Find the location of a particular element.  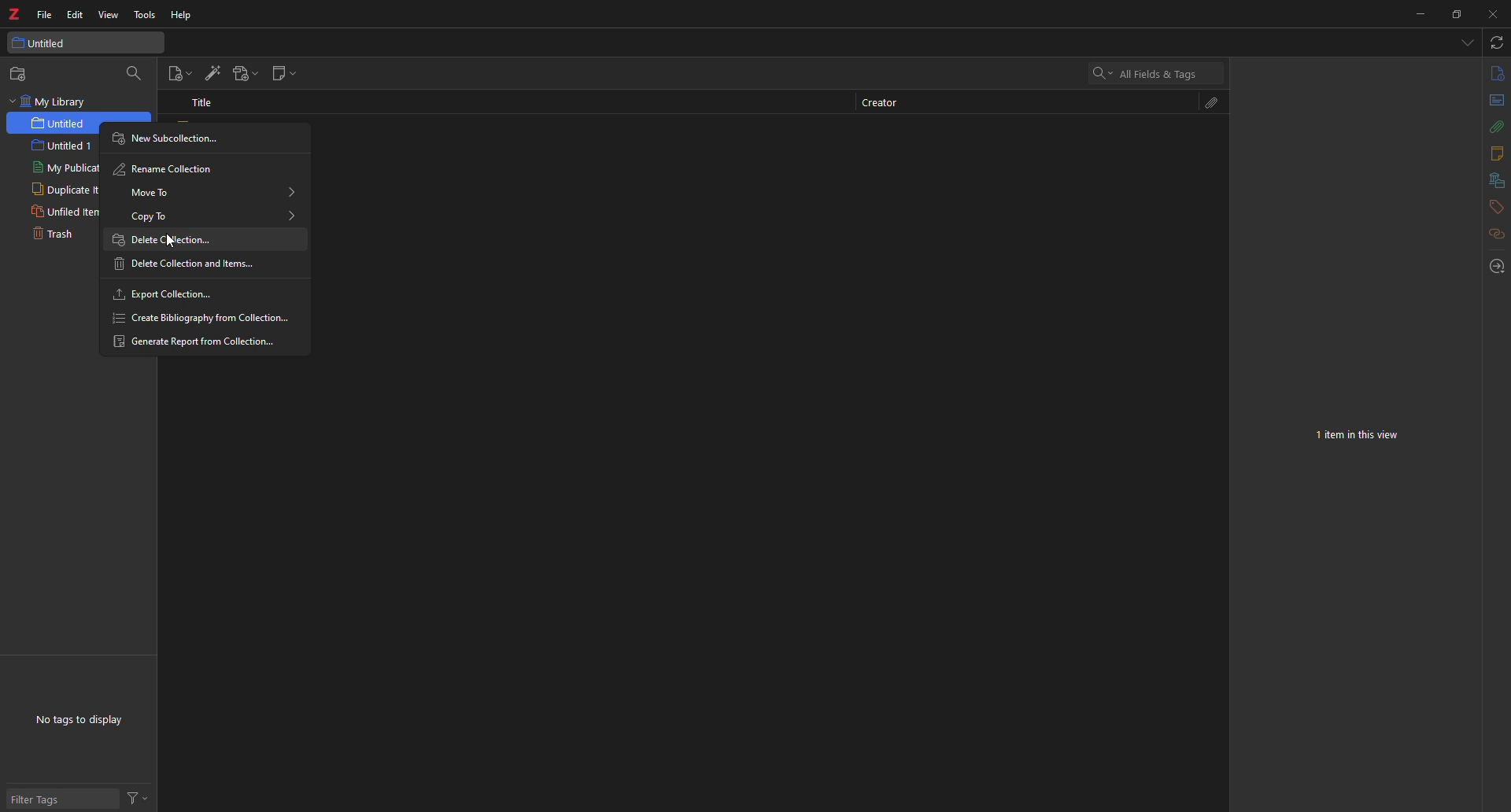

my library is located at coordinates (51, 101).